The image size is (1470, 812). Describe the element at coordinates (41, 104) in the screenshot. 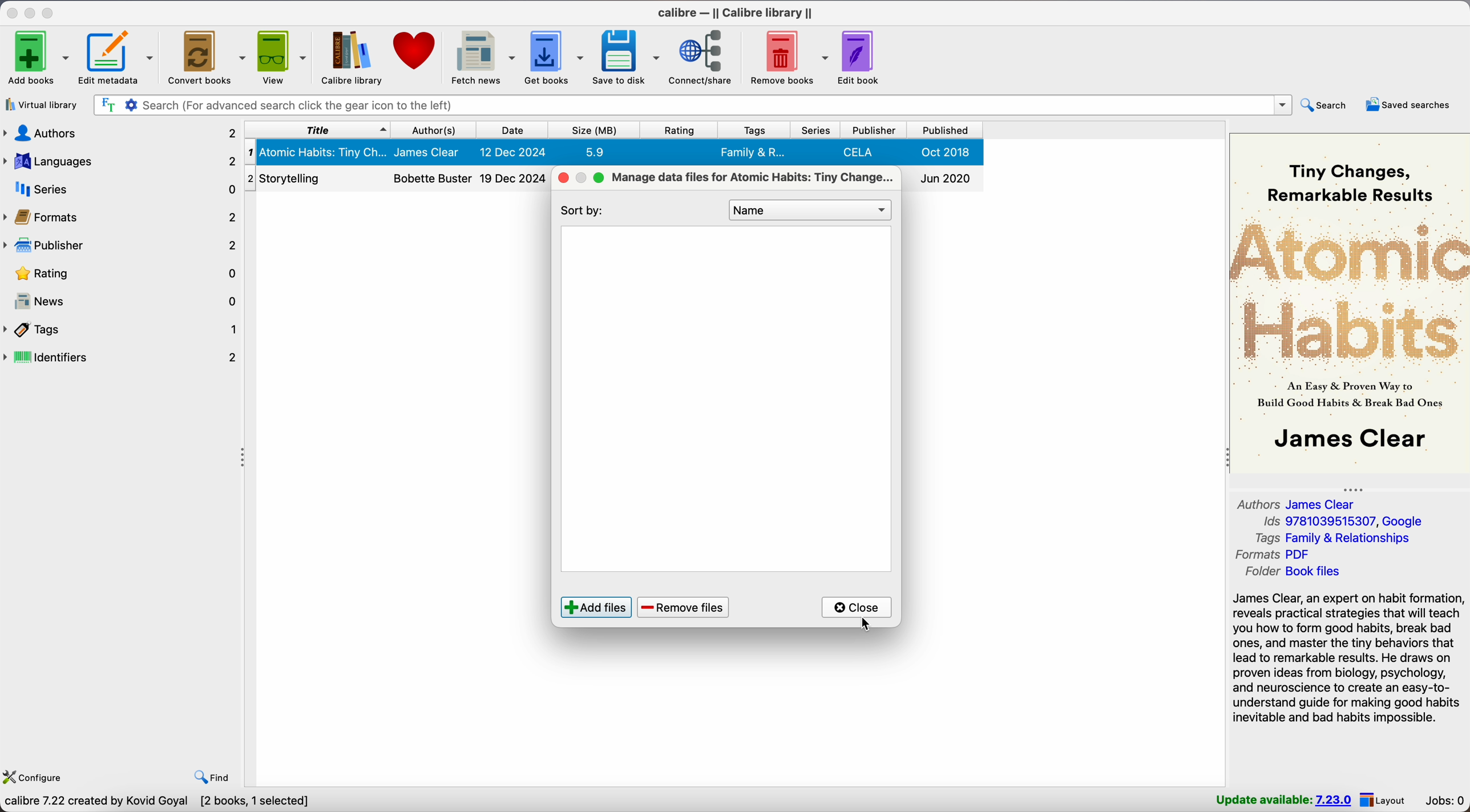

I see `virtual library` at that location.